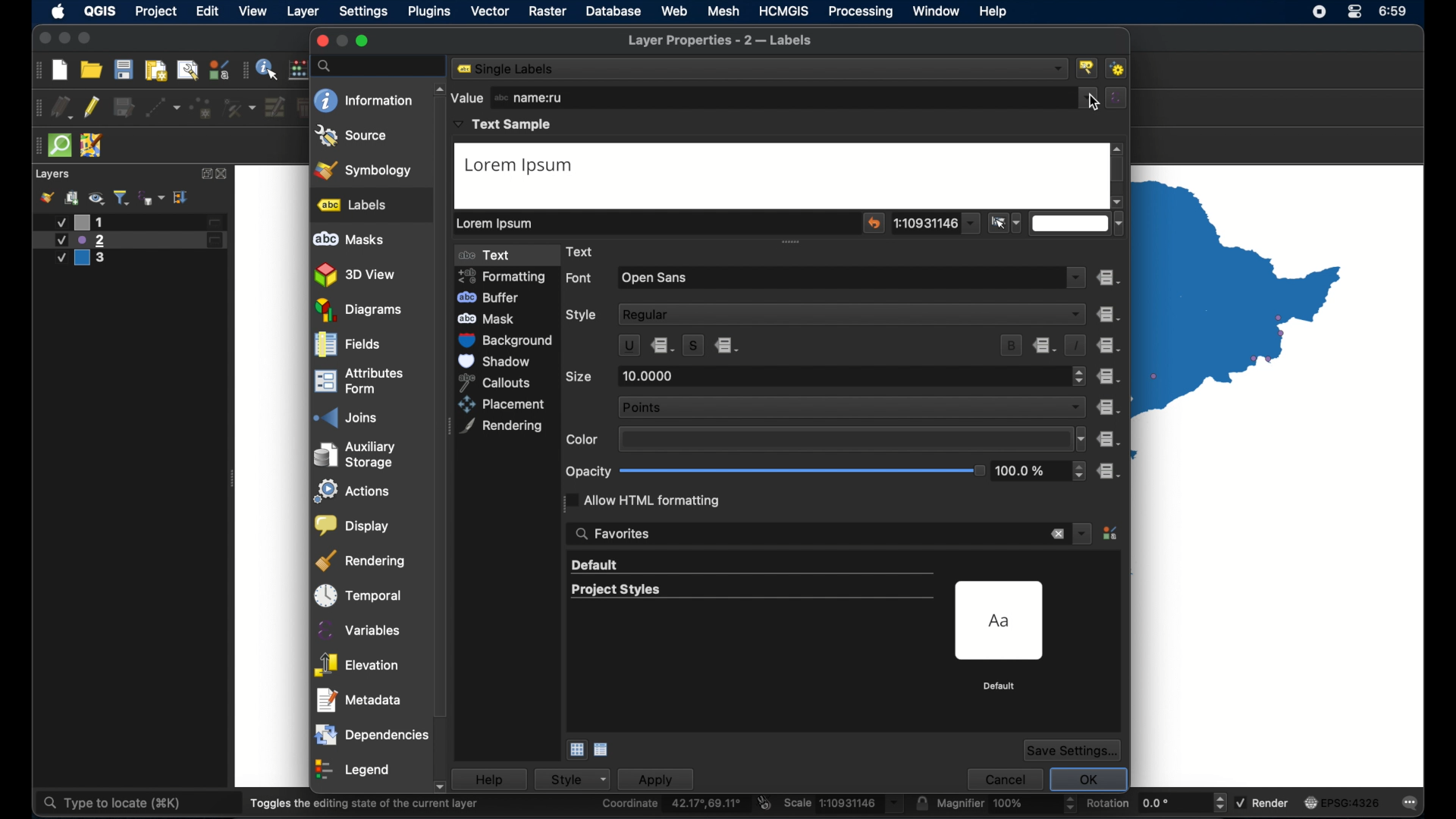 The image size is (1456, 819). Describe the element at coordinates (224, 174) in the screenshot. I see `close` at that location.